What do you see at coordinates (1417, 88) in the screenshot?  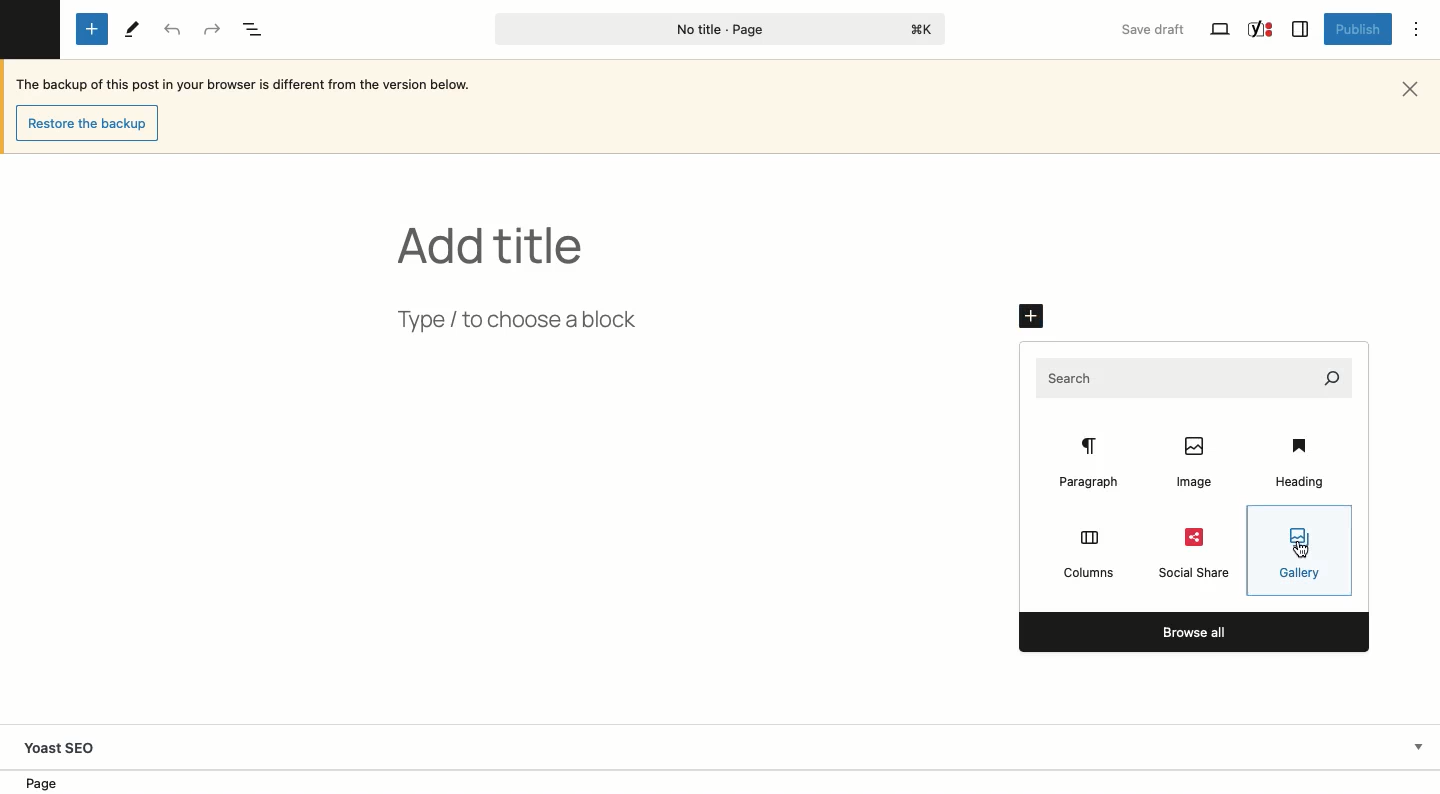 I see `Close` at bounding box center [1417, 88].